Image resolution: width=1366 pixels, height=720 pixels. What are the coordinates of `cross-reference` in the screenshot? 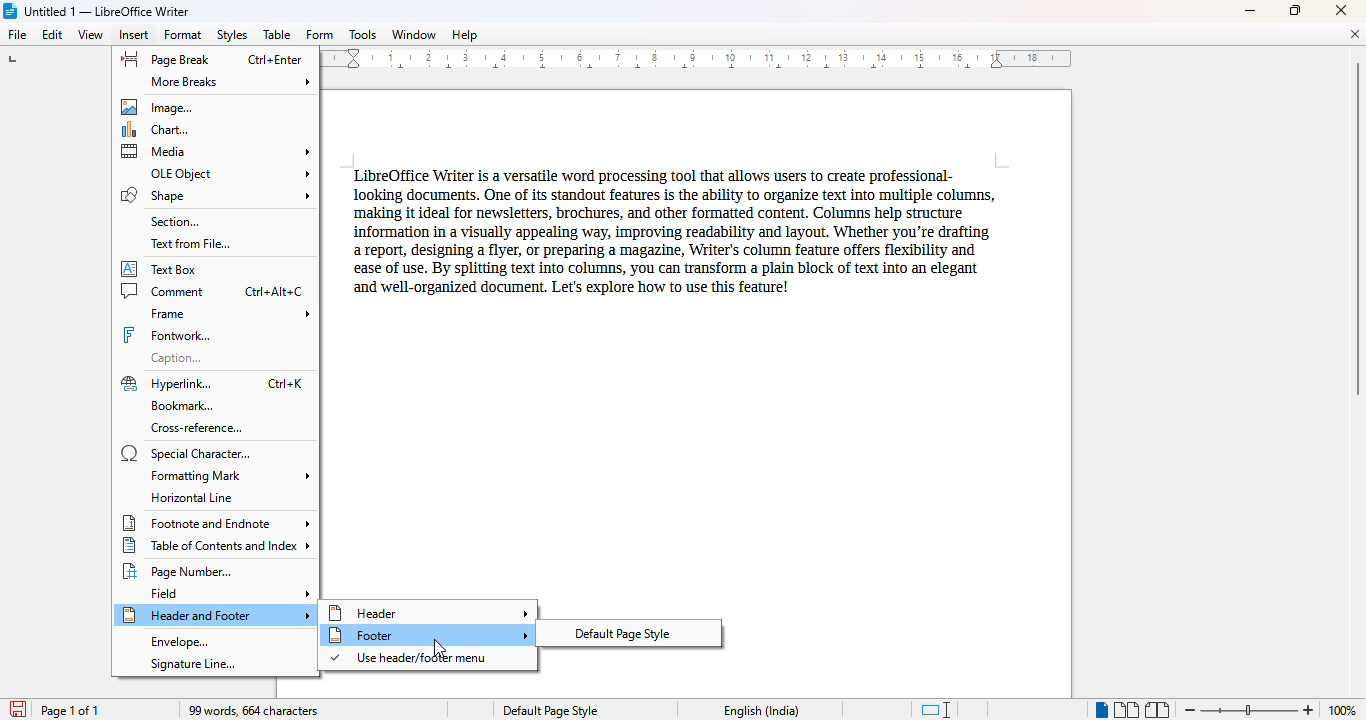 It's located at (196, 428).